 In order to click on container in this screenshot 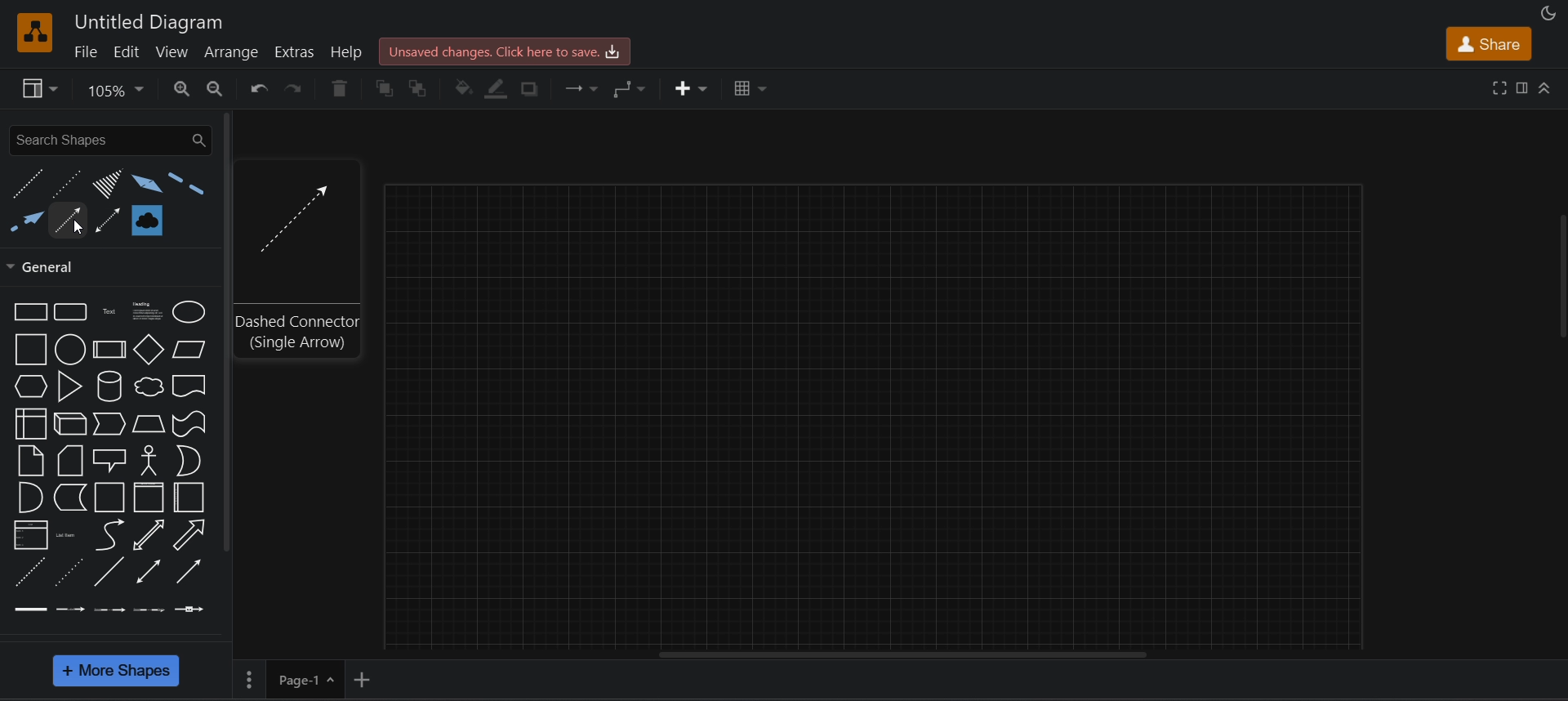, I will do `click(109, 496)`.